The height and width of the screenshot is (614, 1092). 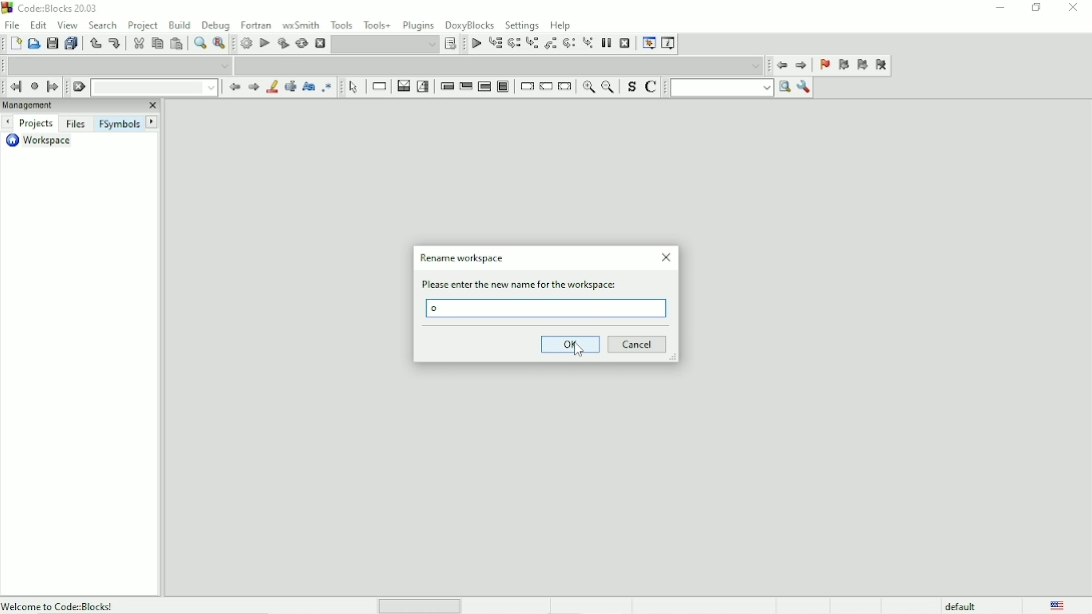 I want to click on Save everything, so click(x=71, y=44).